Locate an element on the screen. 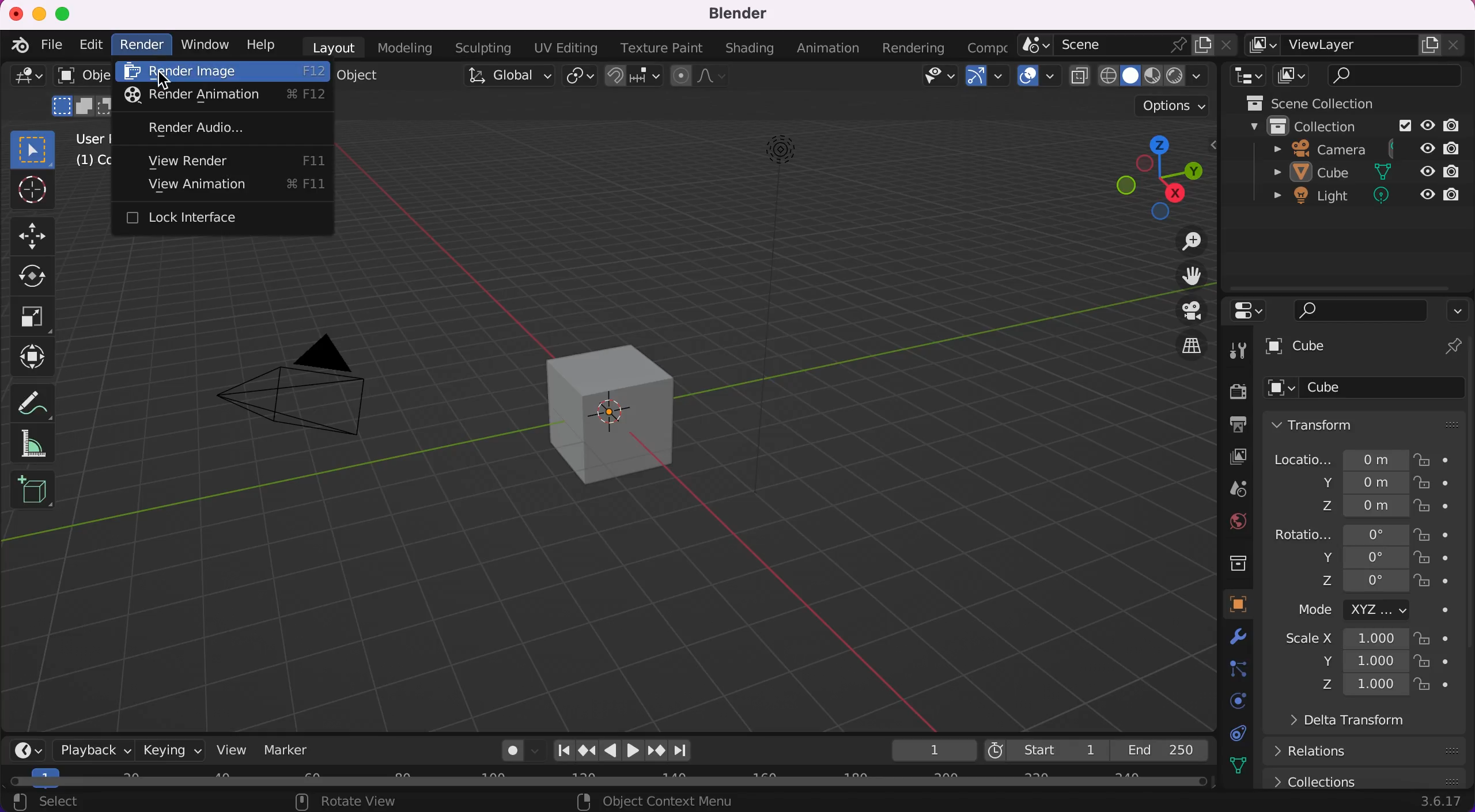 The image size is (1475, 812). jump to keyframe is located at coordinates (586, 749).